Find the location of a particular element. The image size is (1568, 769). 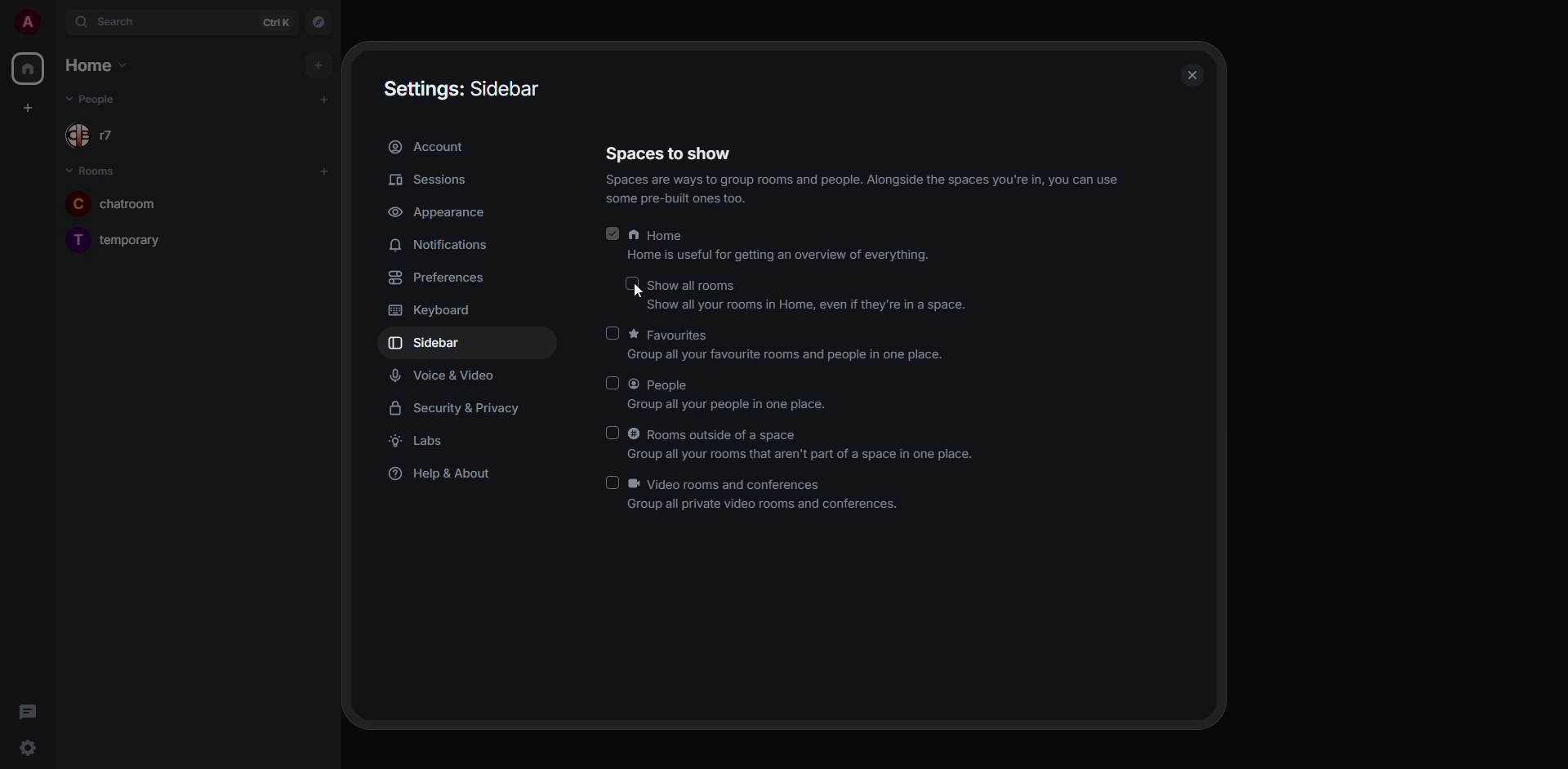

add is located at coordinates (318, 67).